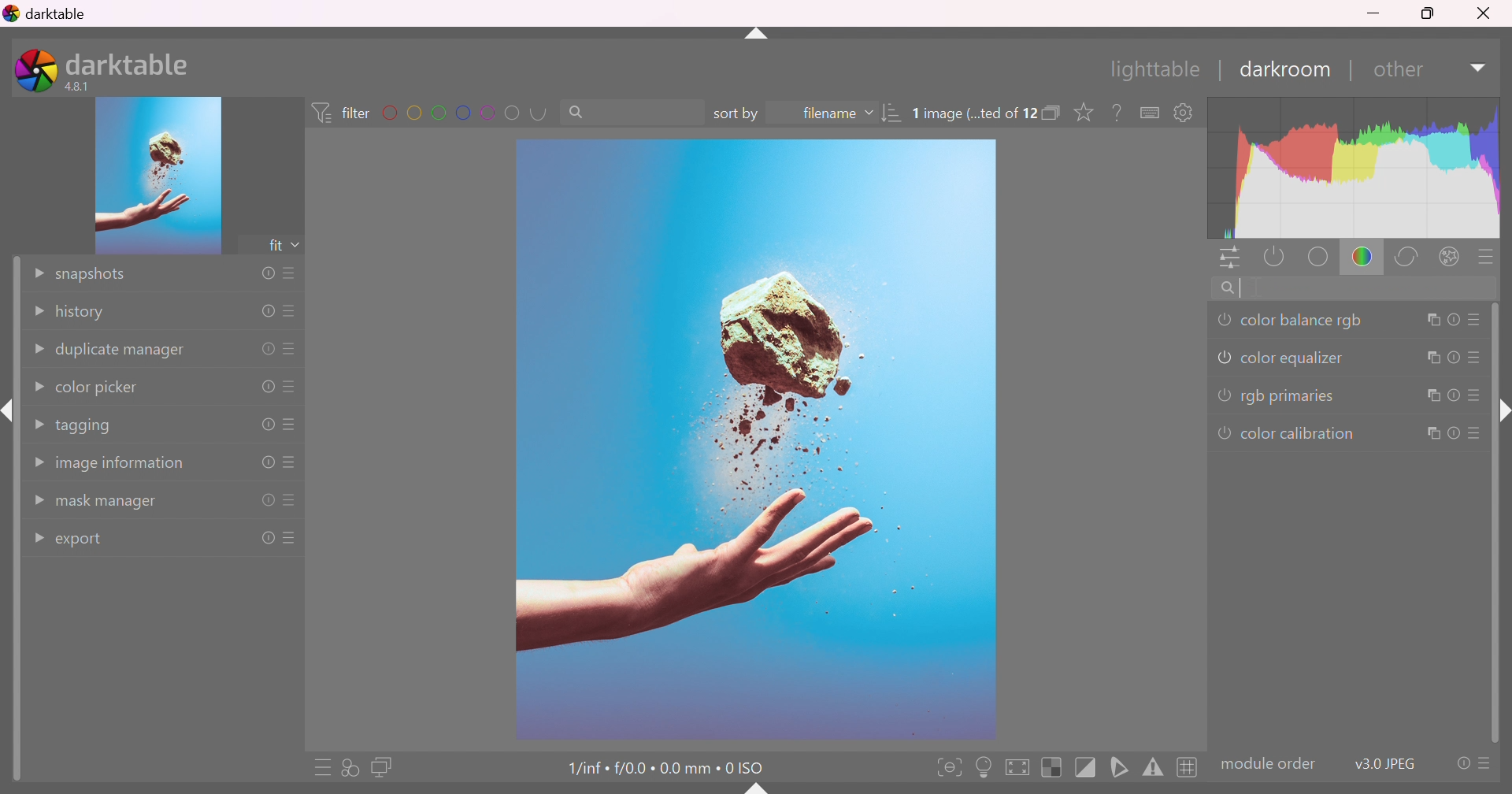  Describe the element at coordinates (1269, 763) in the screenshot. I see `modulecolor` at that location.